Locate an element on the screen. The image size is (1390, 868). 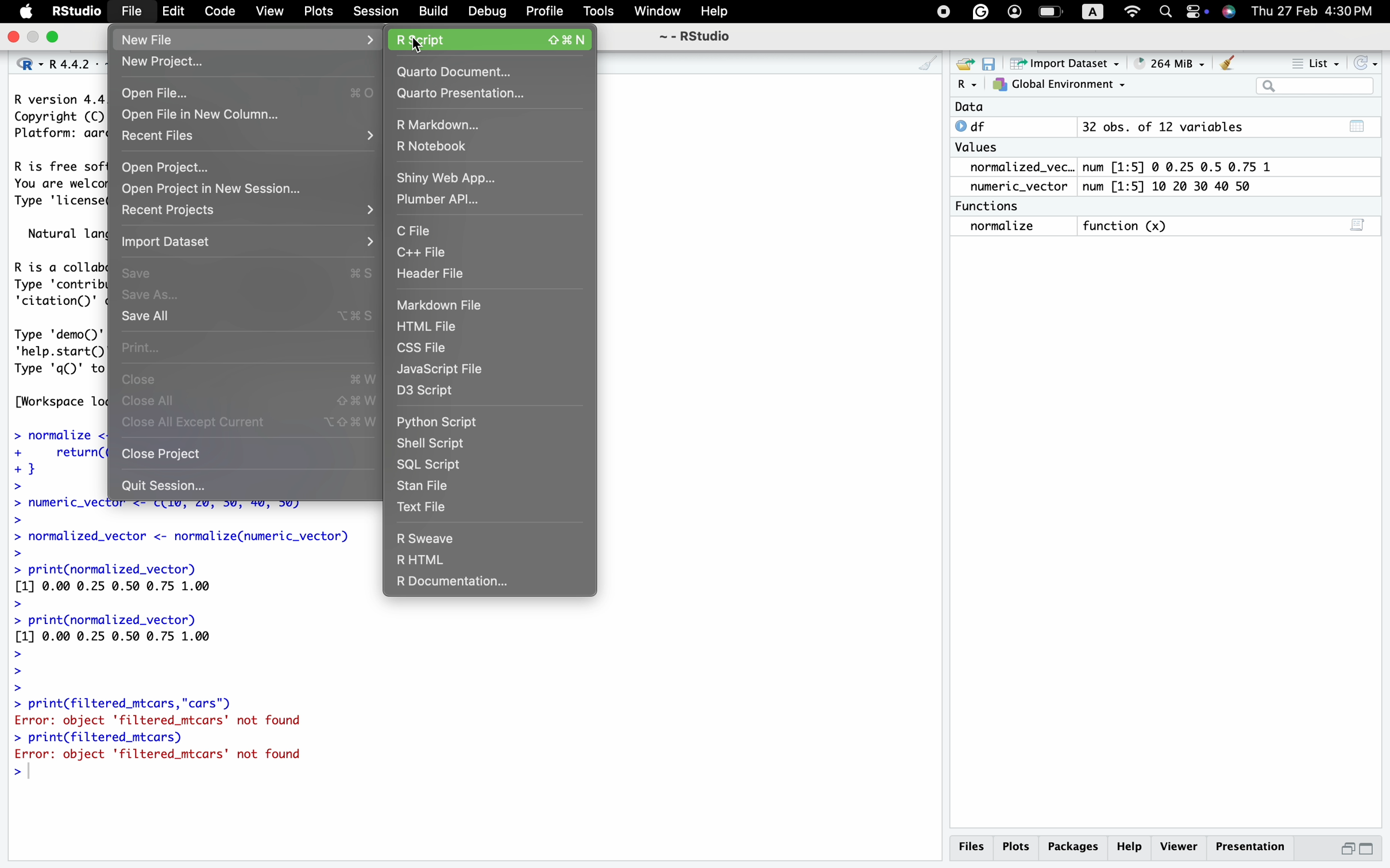
RStudio is located at coordinates (77, 10).